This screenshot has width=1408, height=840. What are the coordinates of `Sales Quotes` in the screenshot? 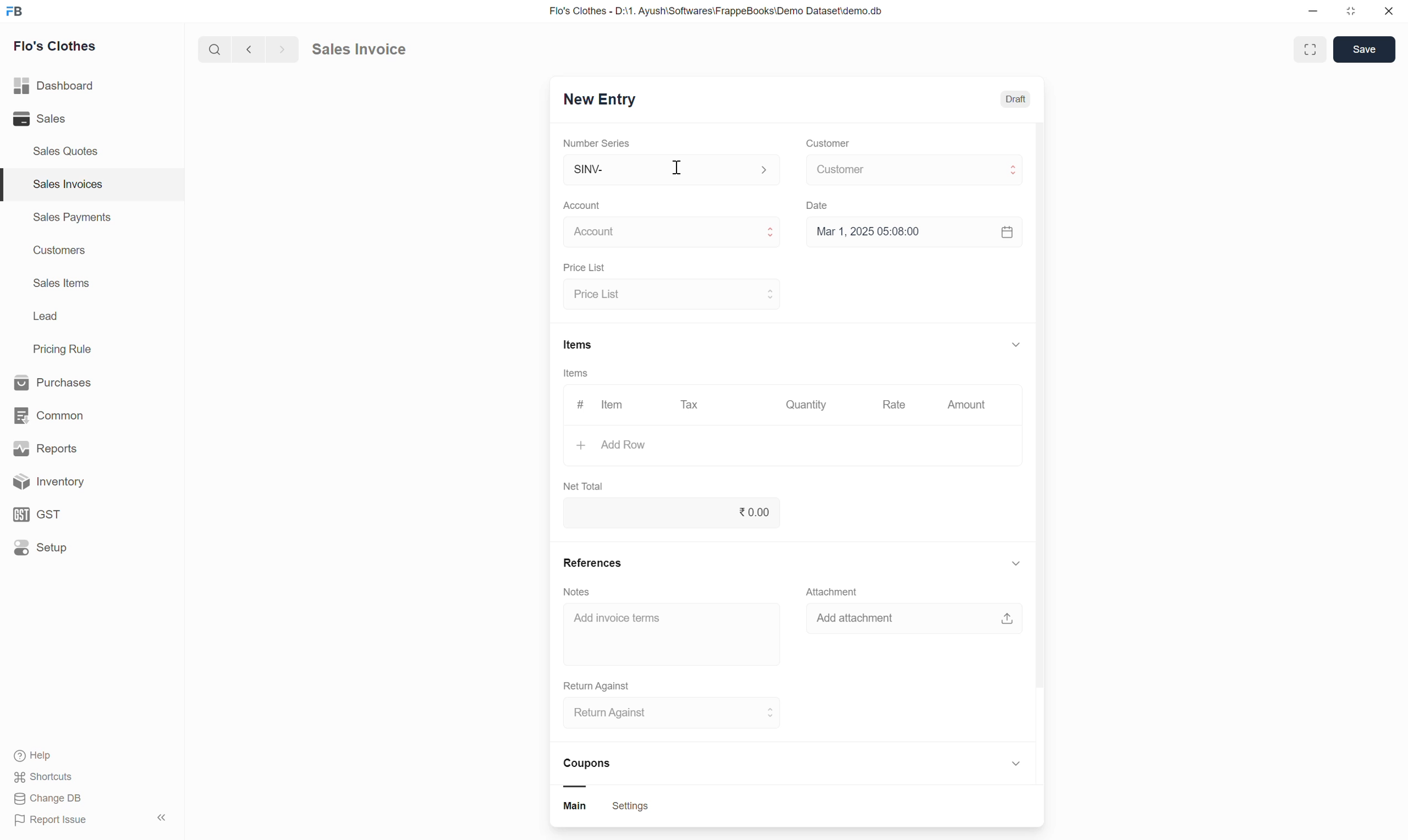 It's located at (66, 151).